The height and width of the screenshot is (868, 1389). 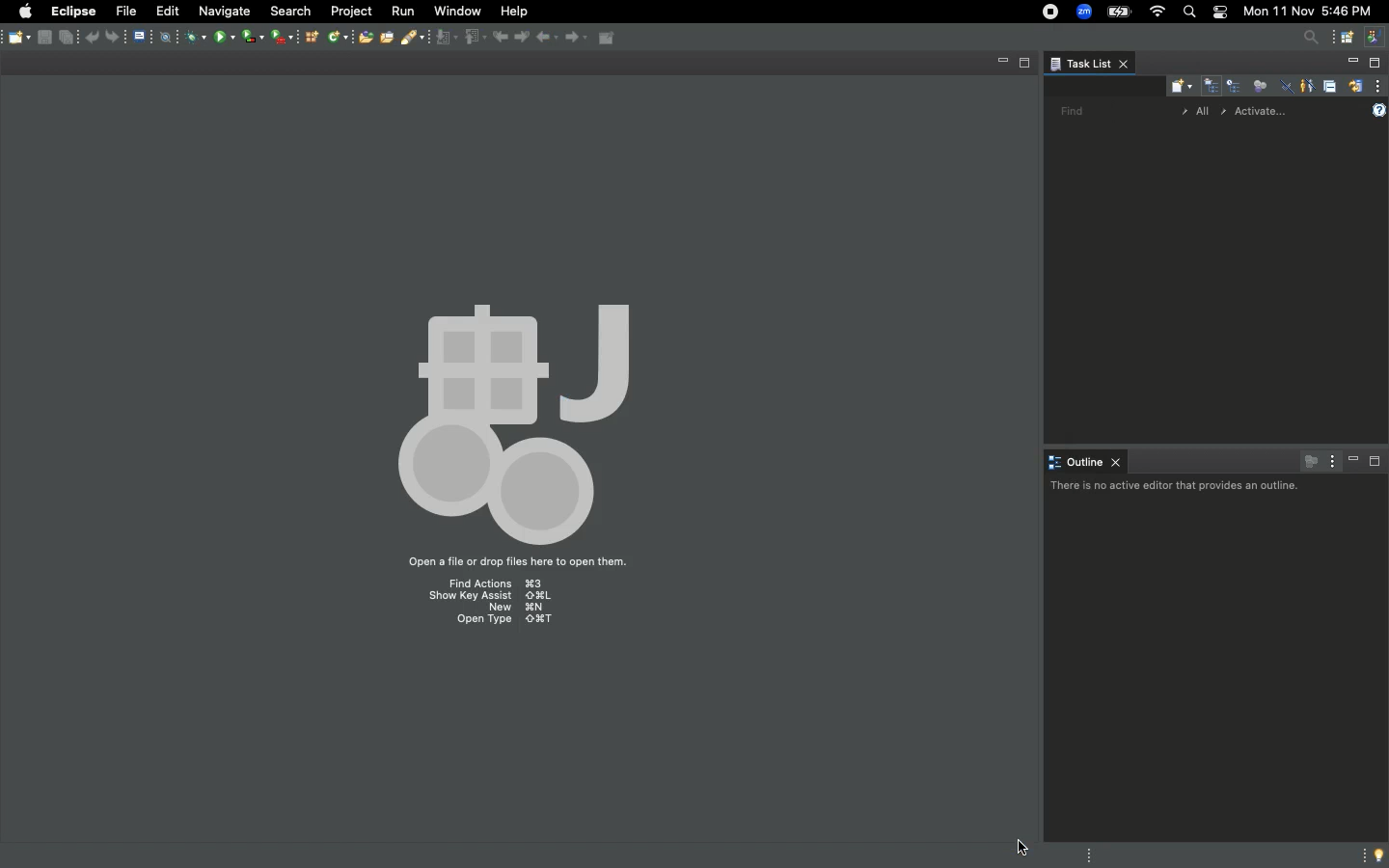 What do you see at coordinates (1362, 37) in the screenshot?
I see `New window` at bounding box center [1362, 37].